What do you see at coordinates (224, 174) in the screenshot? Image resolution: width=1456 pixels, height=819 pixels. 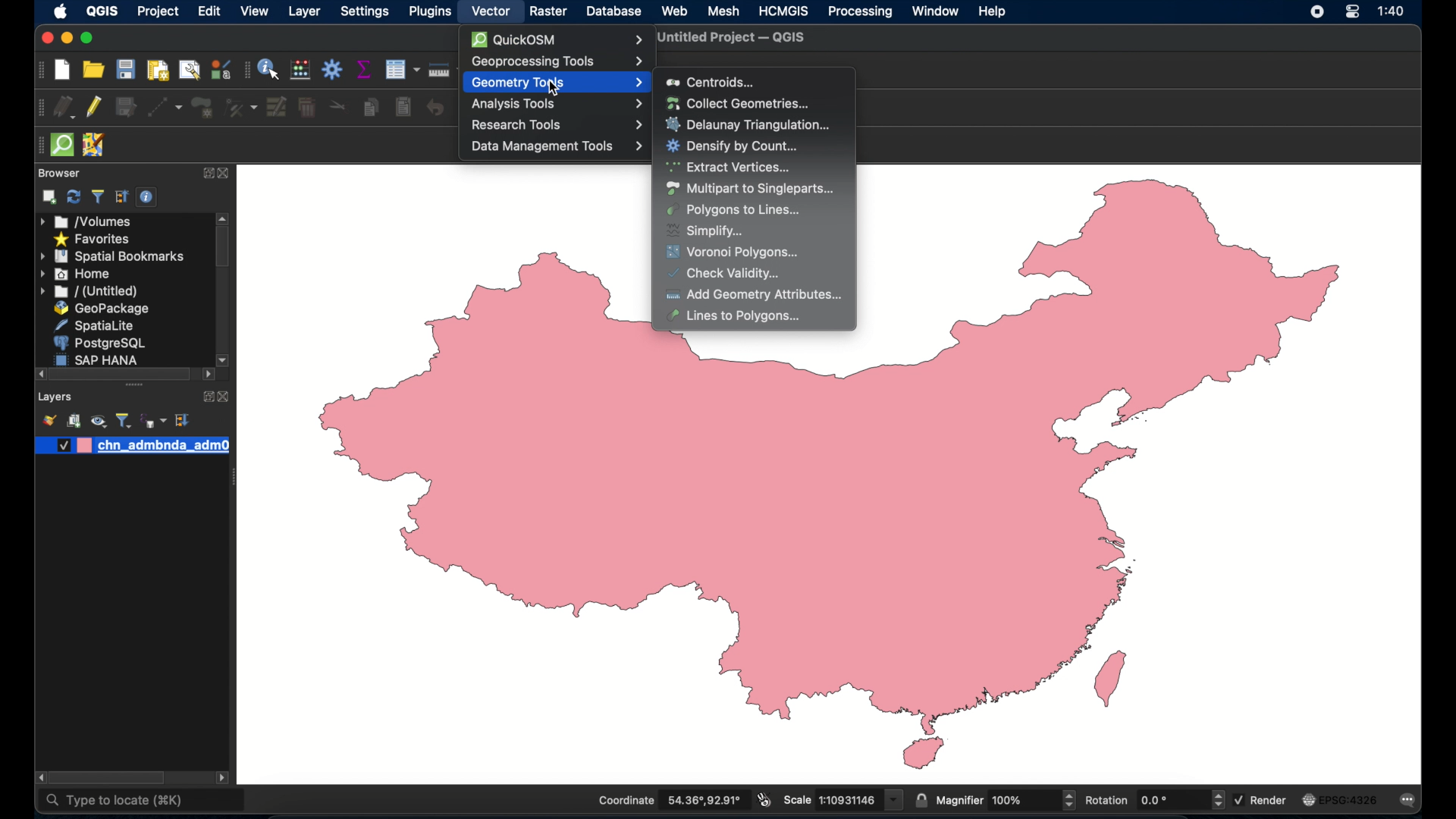 I see `close` at bounding box center [224, 174].